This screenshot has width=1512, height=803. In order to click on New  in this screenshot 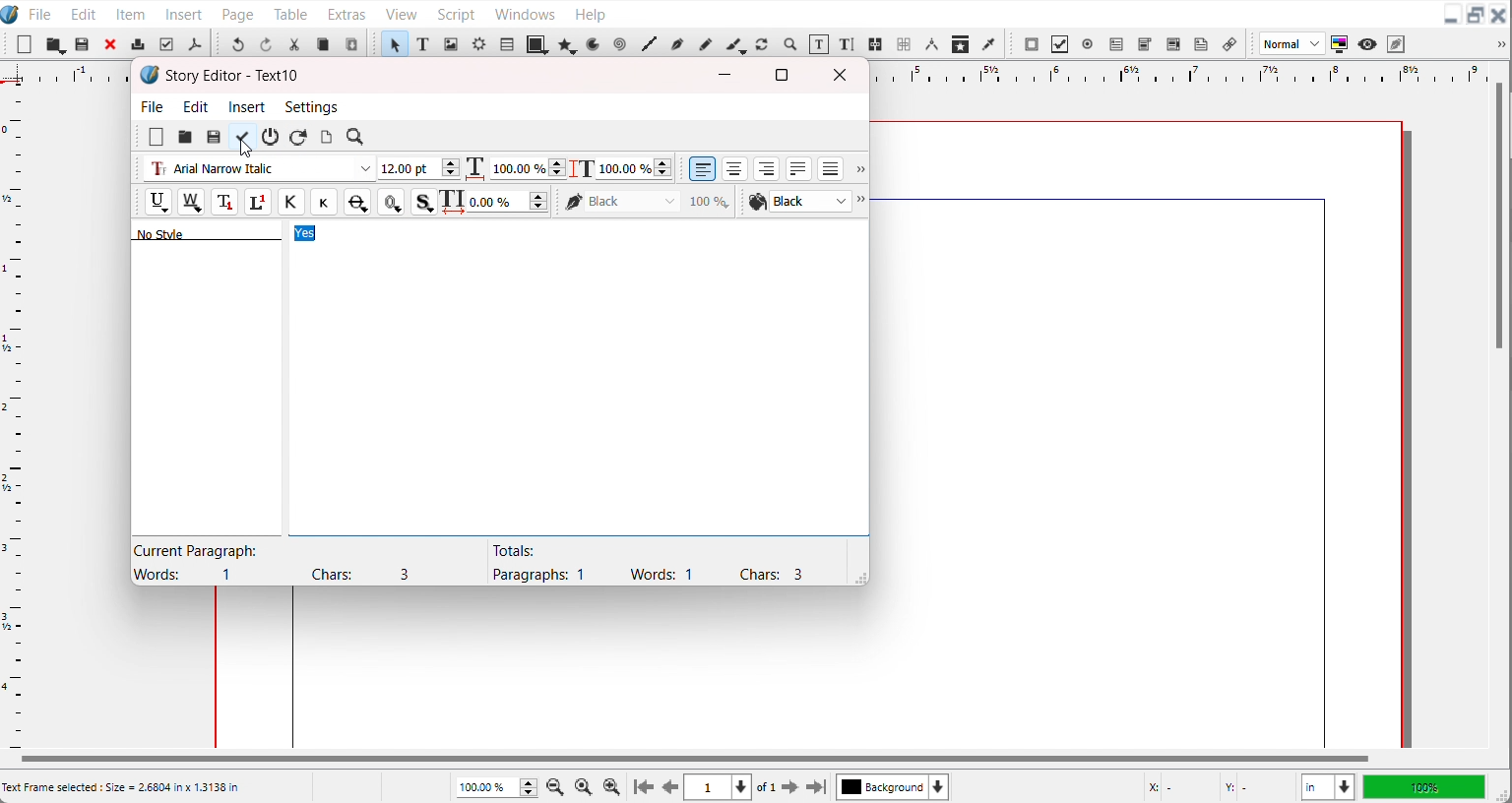, I will do `click(157, 137)`.